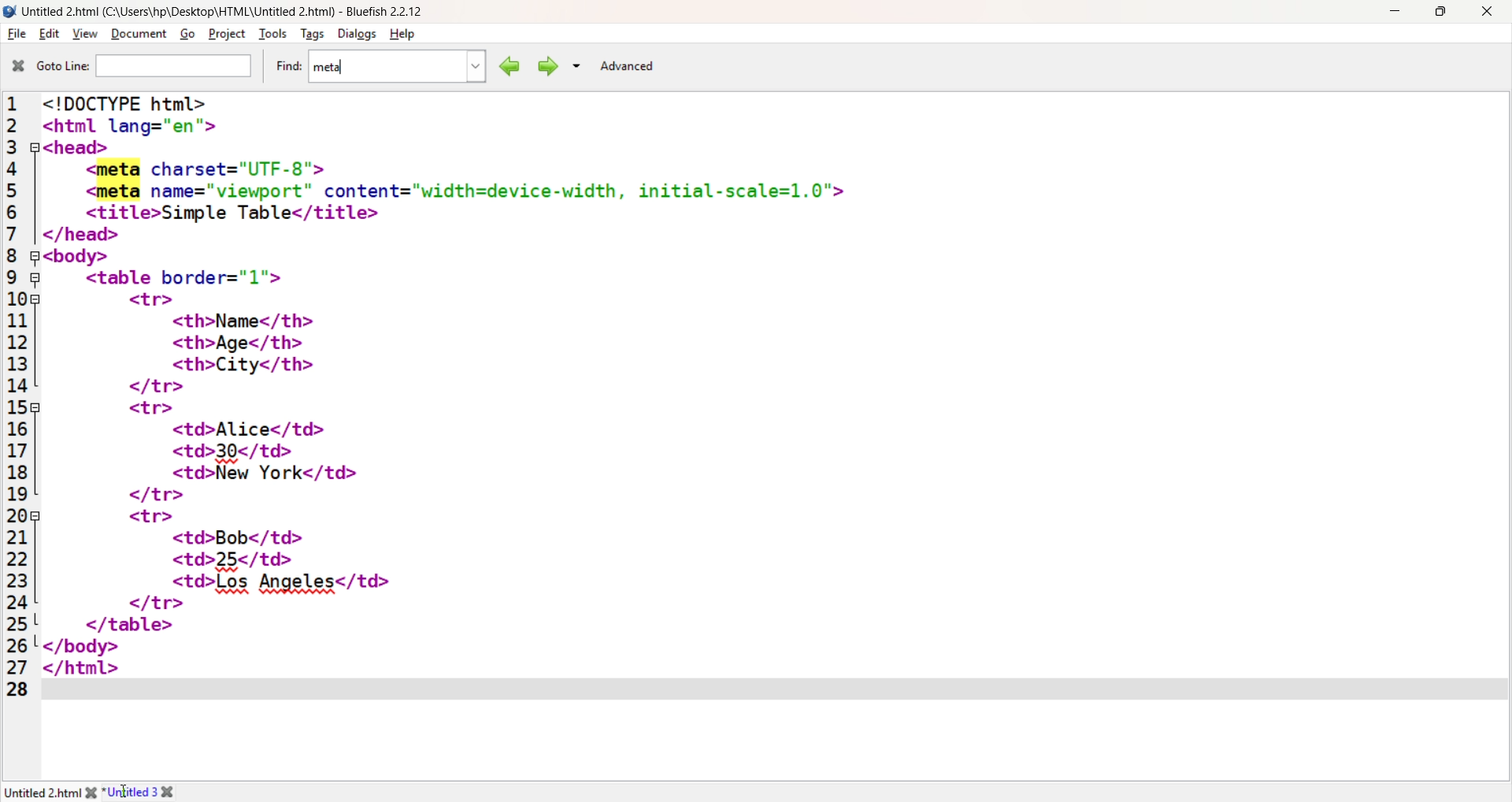 The width and height of the screenshot is (1512, 802). Describe the element at coordinates (1394, 10) in the screenshot. I see `Minimize` at that location.